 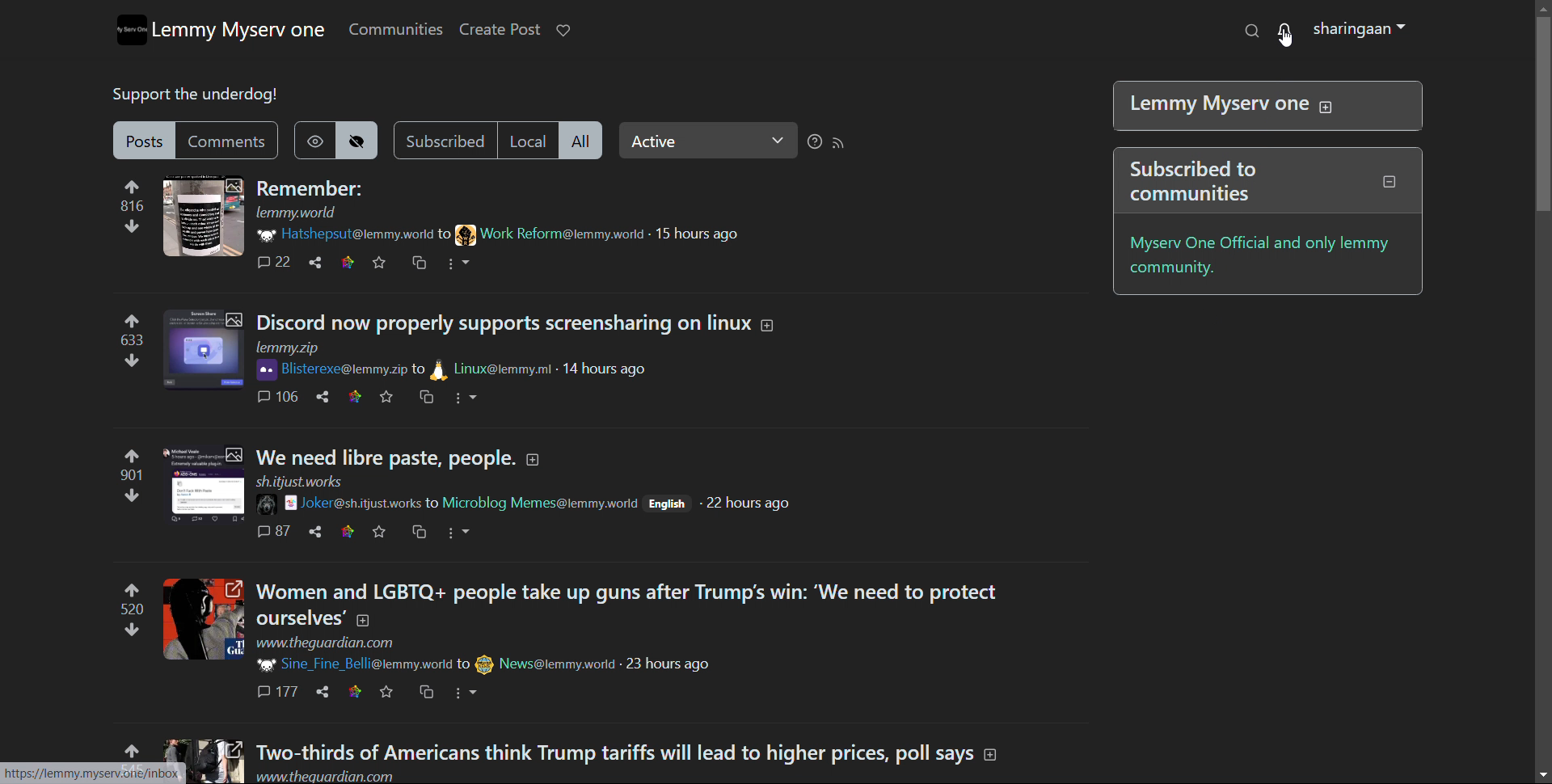 I want to click on comments, so click(x=230, y=141).